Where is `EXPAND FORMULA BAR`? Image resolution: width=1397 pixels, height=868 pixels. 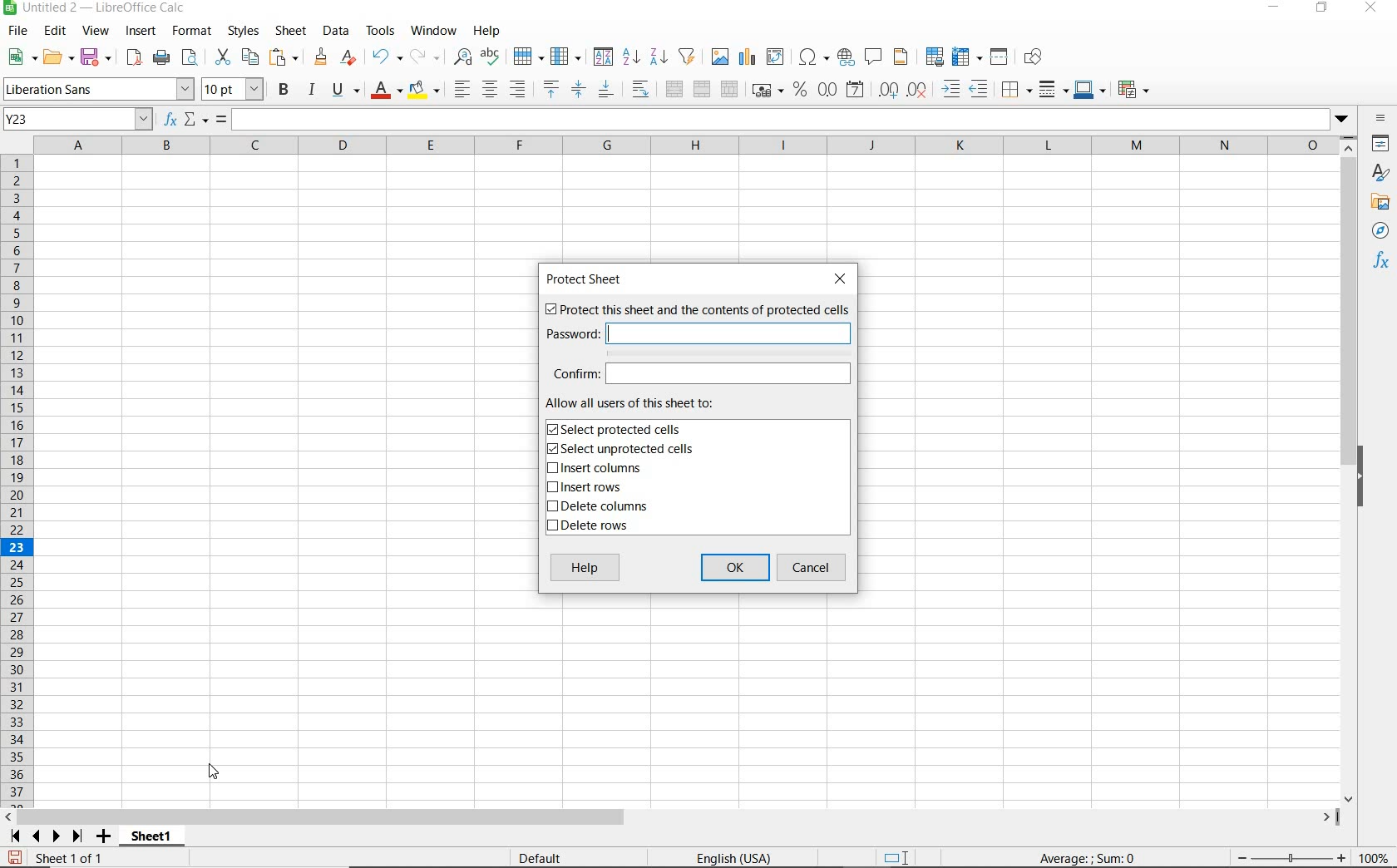
EXPAND FORMULA BAR is located at coordinates (794, 120).